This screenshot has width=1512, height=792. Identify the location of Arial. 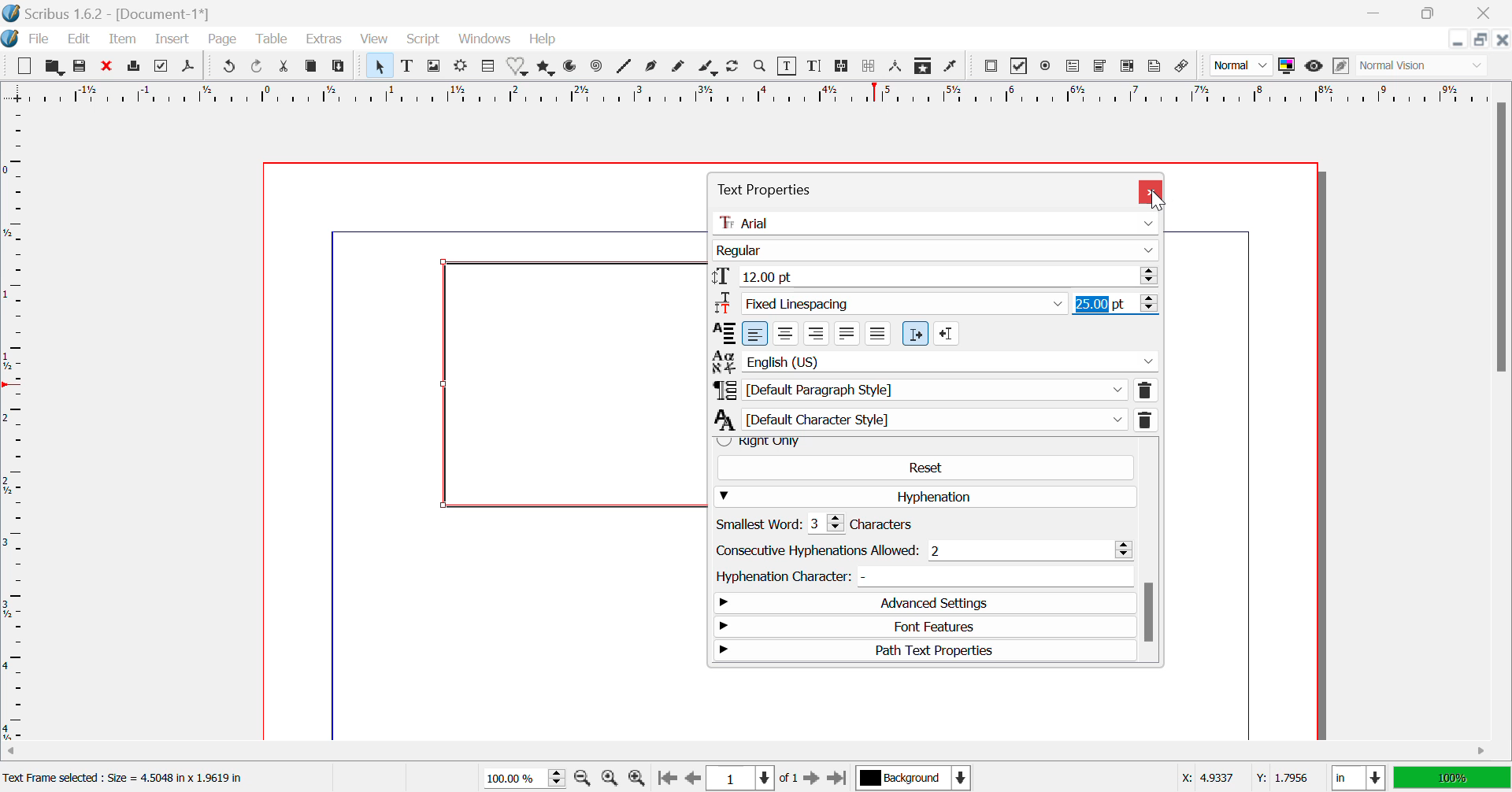
(939, 222).